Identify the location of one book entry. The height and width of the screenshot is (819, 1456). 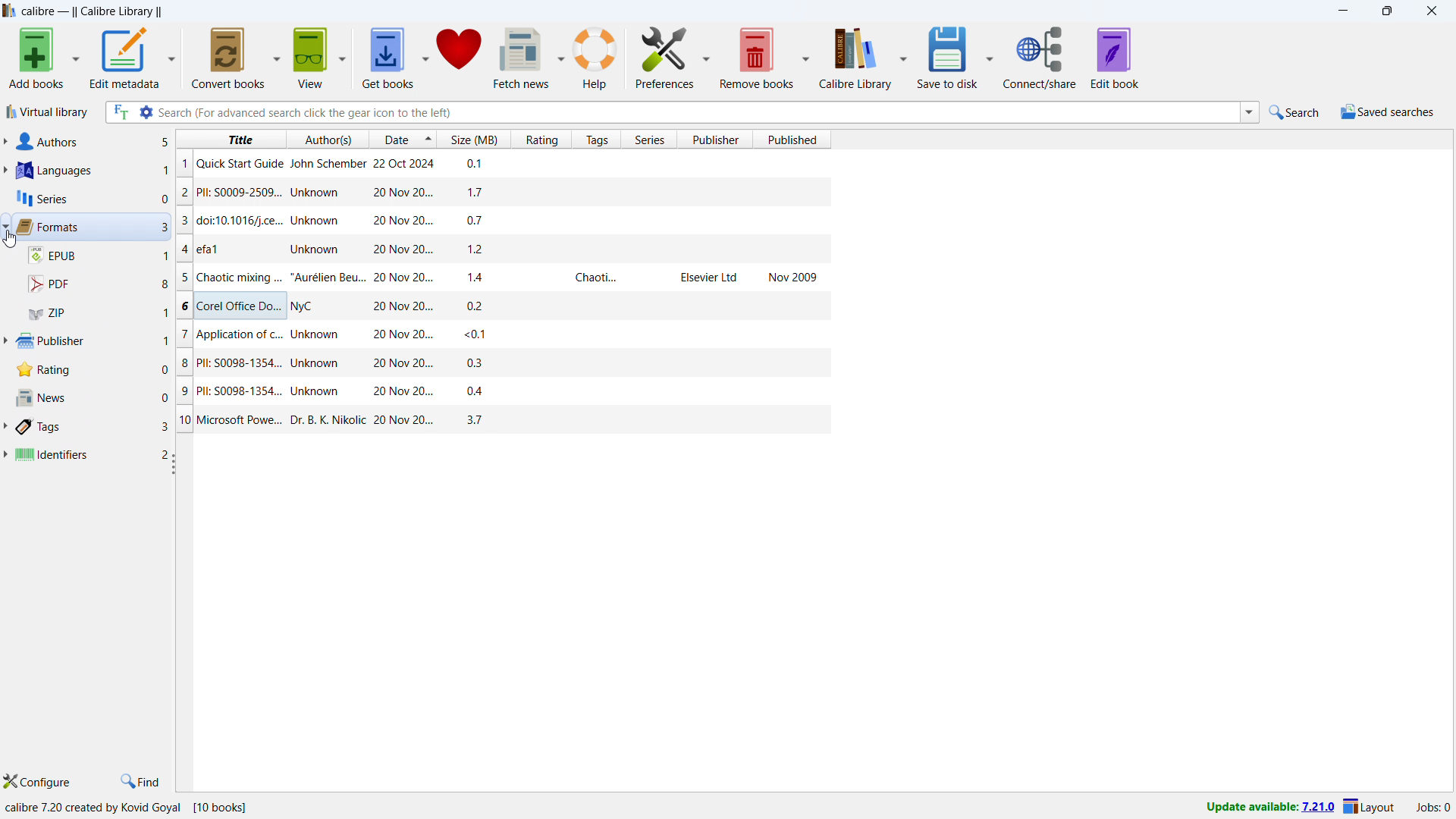
(497, 249).